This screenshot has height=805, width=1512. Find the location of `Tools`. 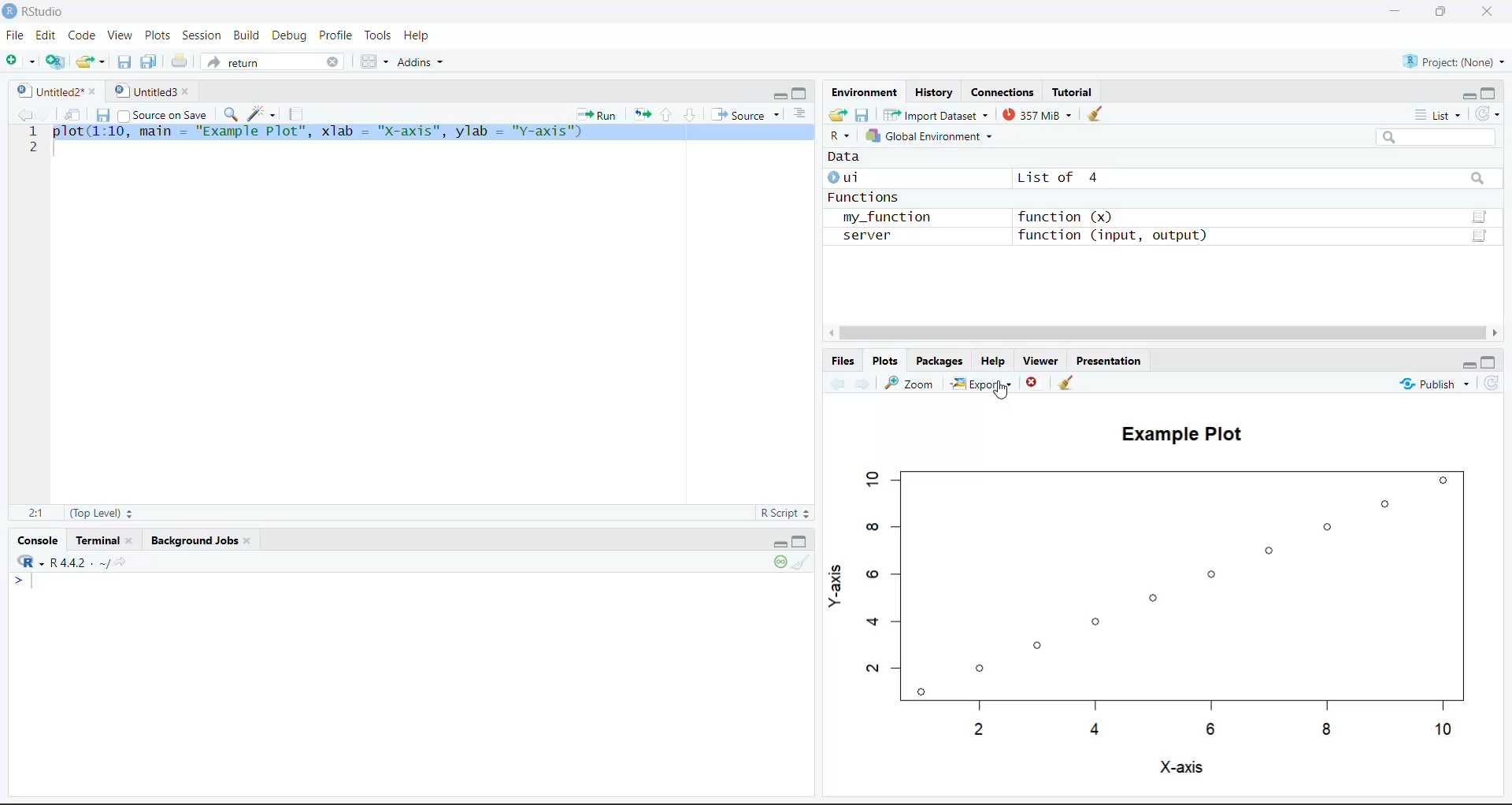

Tools is located at coordinates (380, 35).